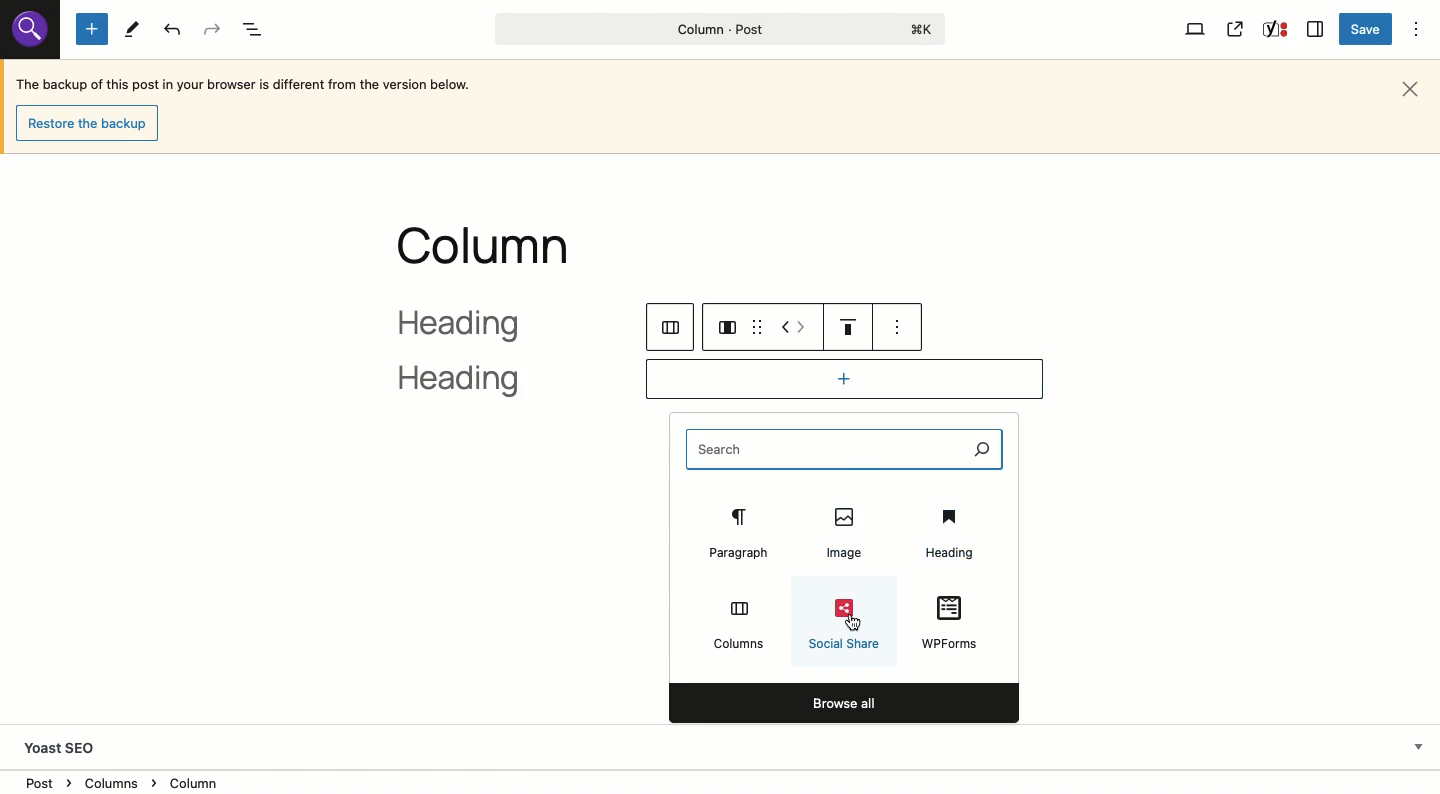 This screenshot has width=1440, height=794. Describe the element at coordinates (799, 325) in the screenshot. I see `Move left right` at that location.